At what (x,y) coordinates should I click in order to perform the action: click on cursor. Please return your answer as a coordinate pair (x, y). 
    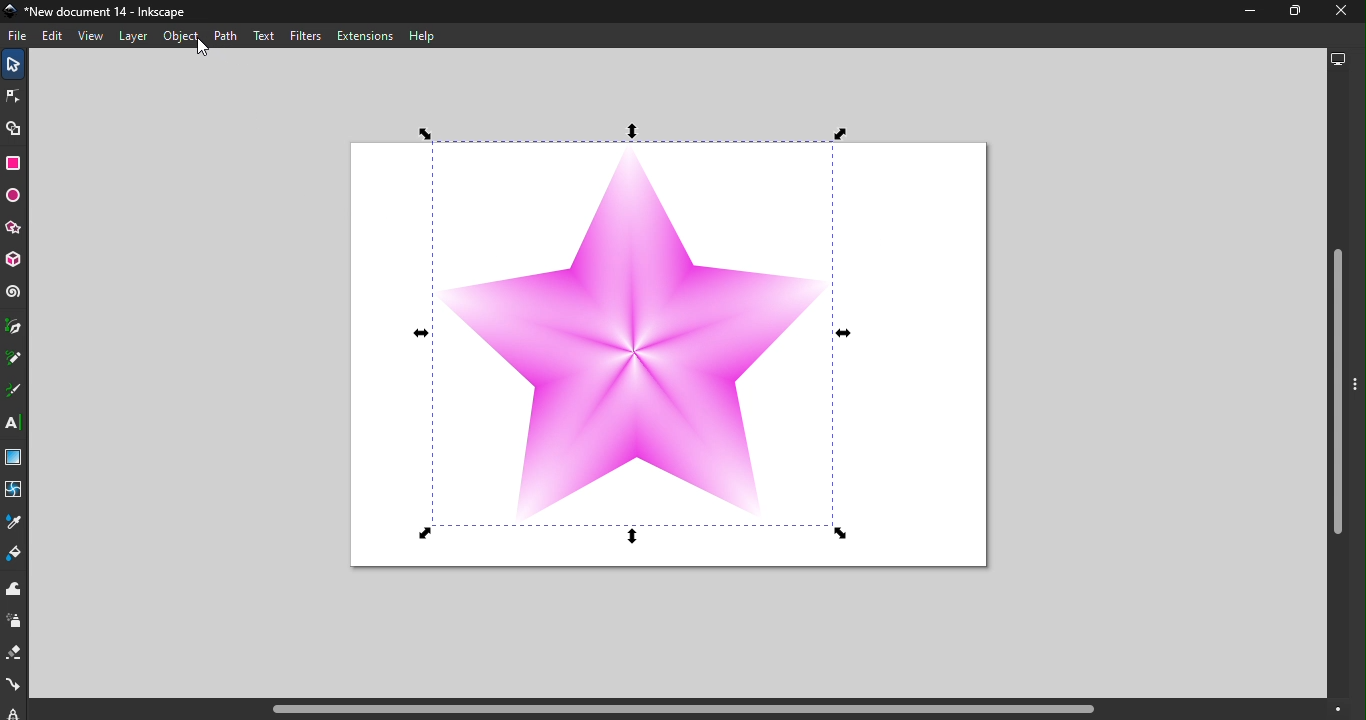
    Looking at the image, I should click on (201, 46).